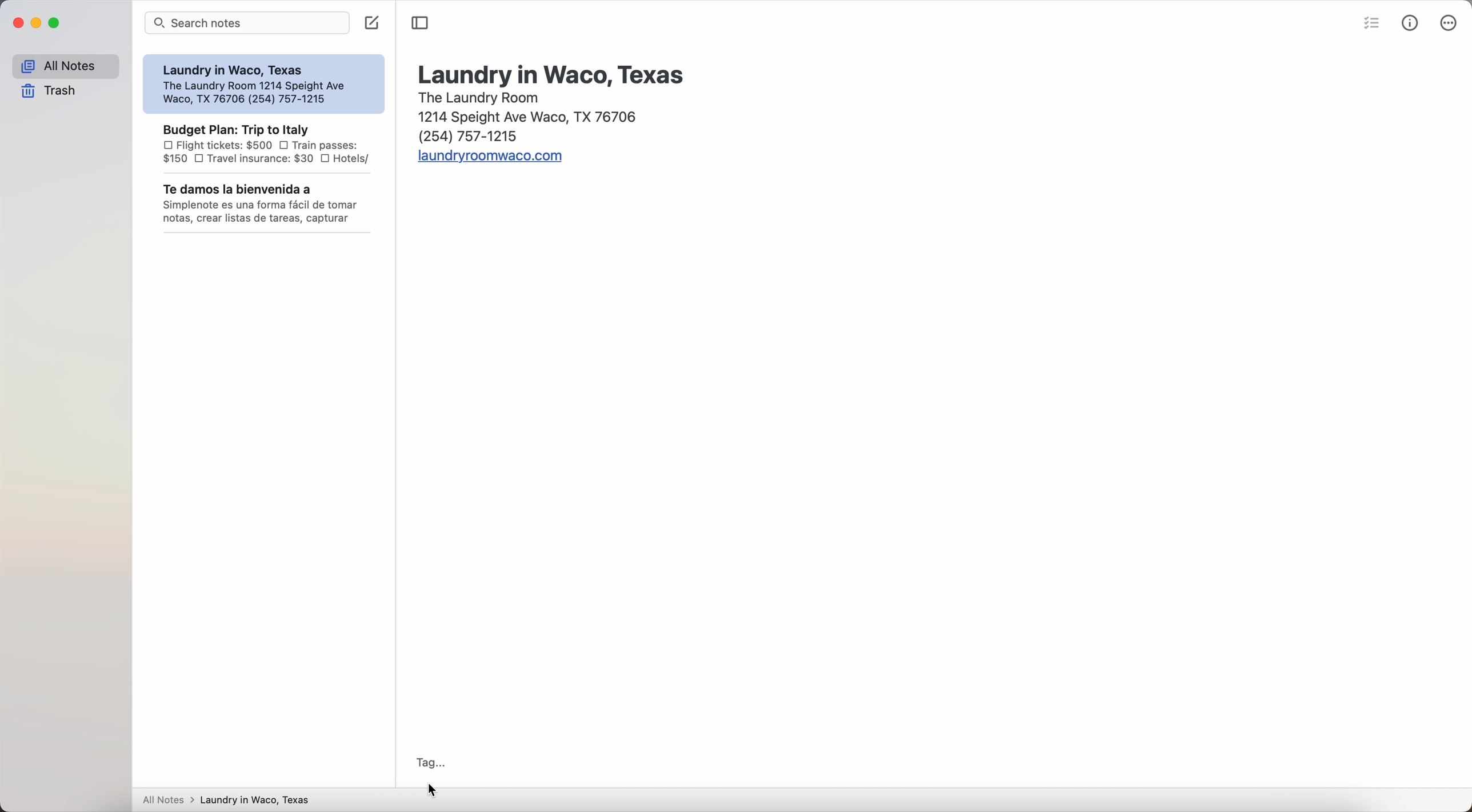  Describe the element at coordinates (433, 762) in the screenshot. I see `tag` at that location.